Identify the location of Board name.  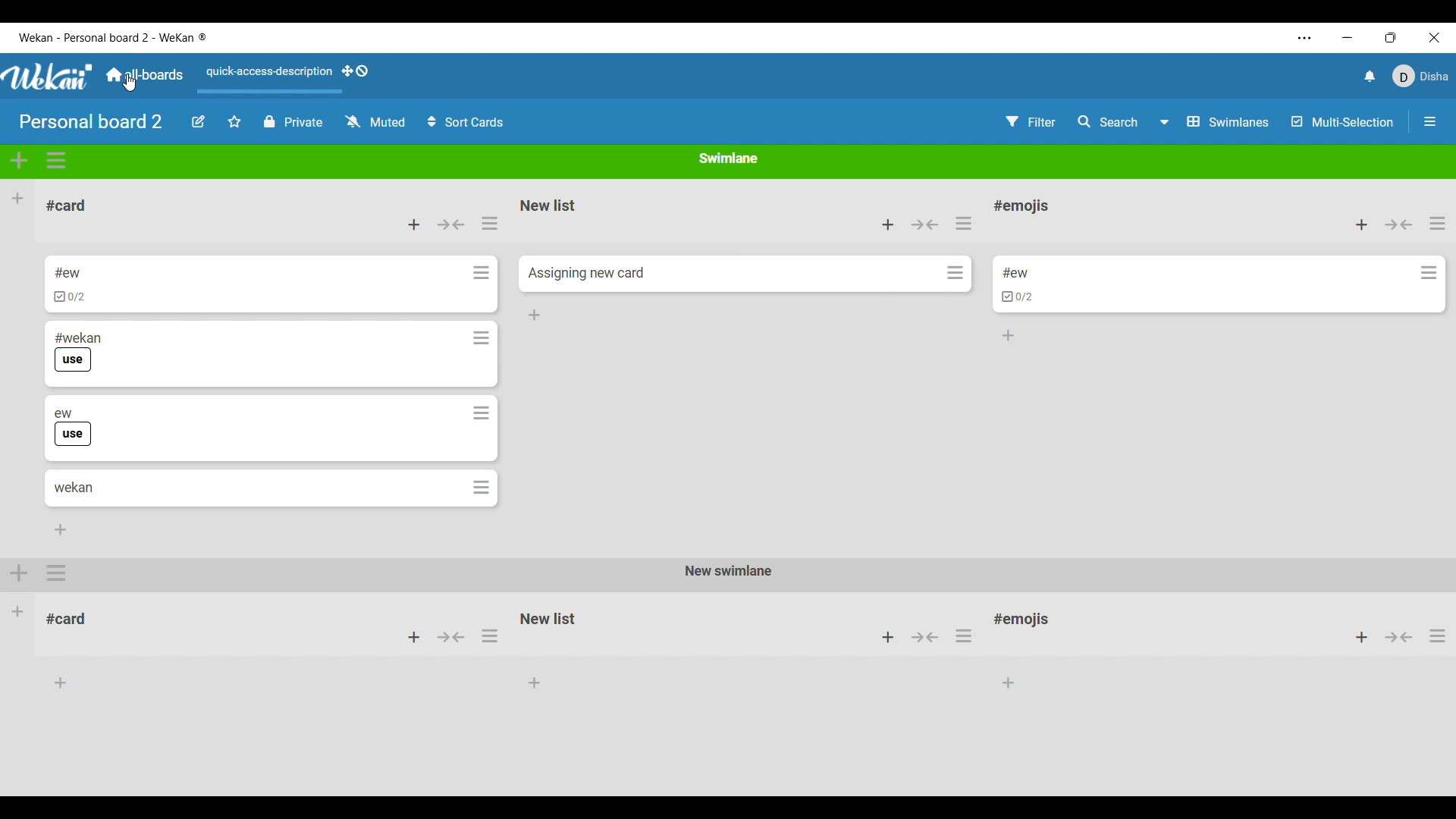
(91, 121).